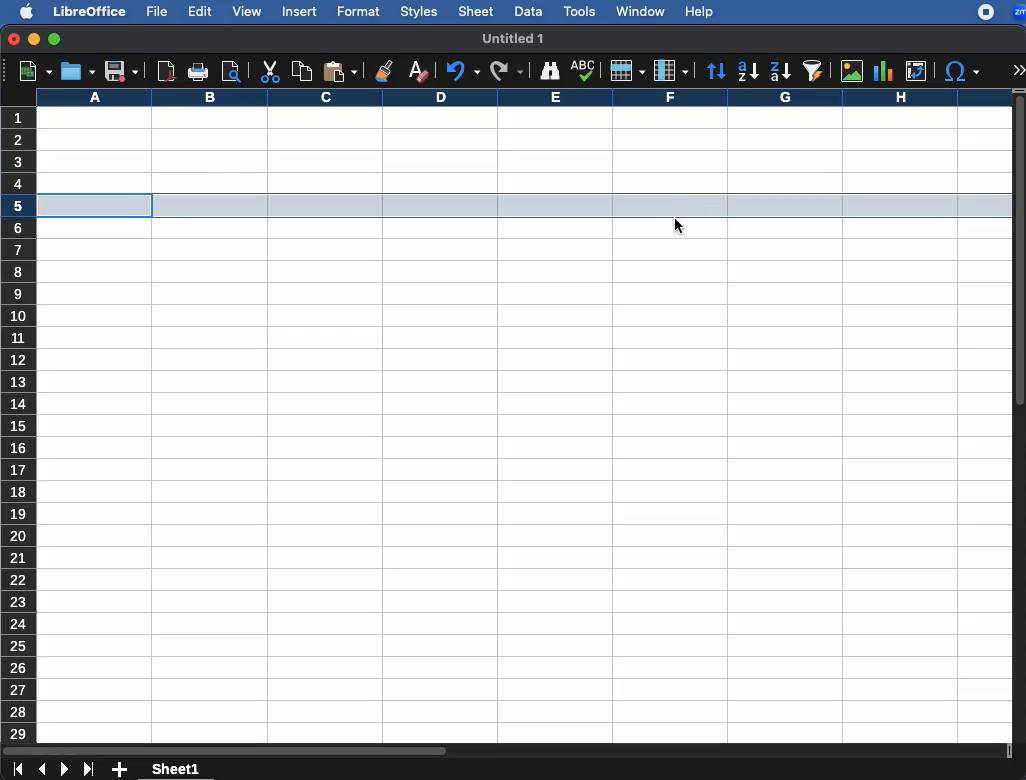 This screenshot has width=1026, height=780. What do you see at coordinates (383, 69) in the screenshot?
I see `clone formatting` at bounding box center [383, 69].